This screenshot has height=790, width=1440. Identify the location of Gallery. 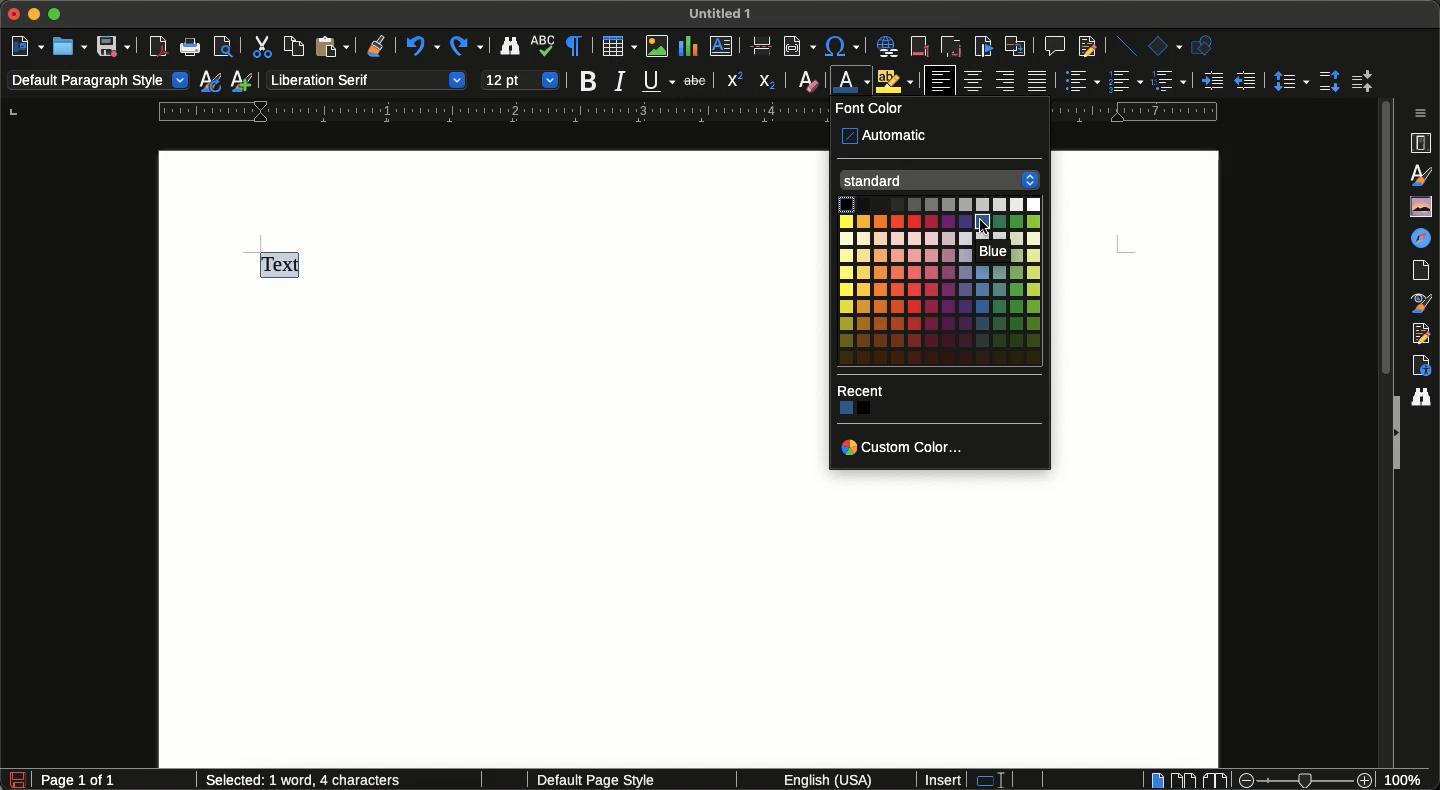
(1418, 206).